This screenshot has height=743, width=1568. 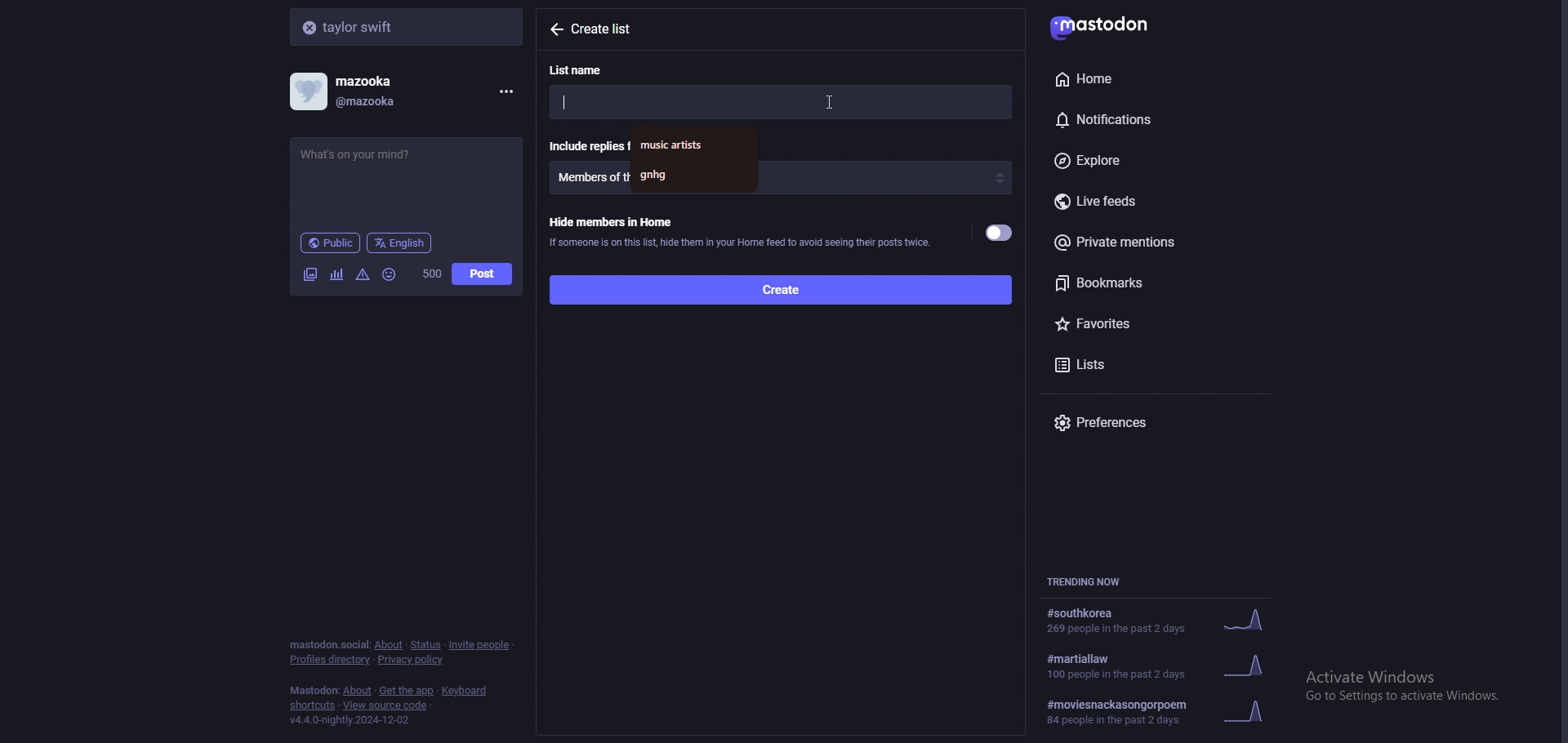 I want to click on lists, so click(x=1118, y=363).